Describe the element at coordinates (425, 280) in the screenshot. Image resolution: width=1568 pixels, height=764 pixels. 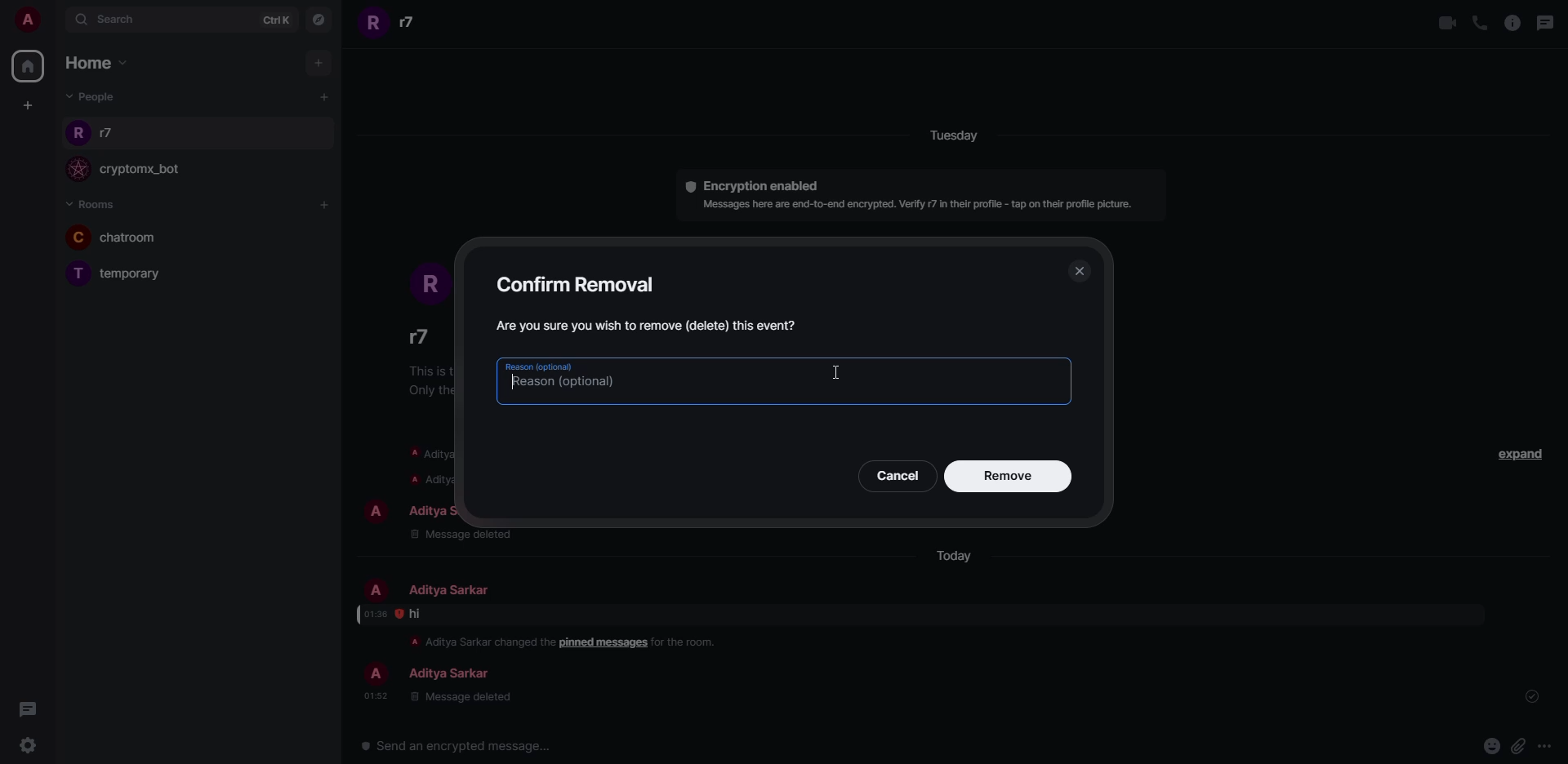
I see `profile` at that location.